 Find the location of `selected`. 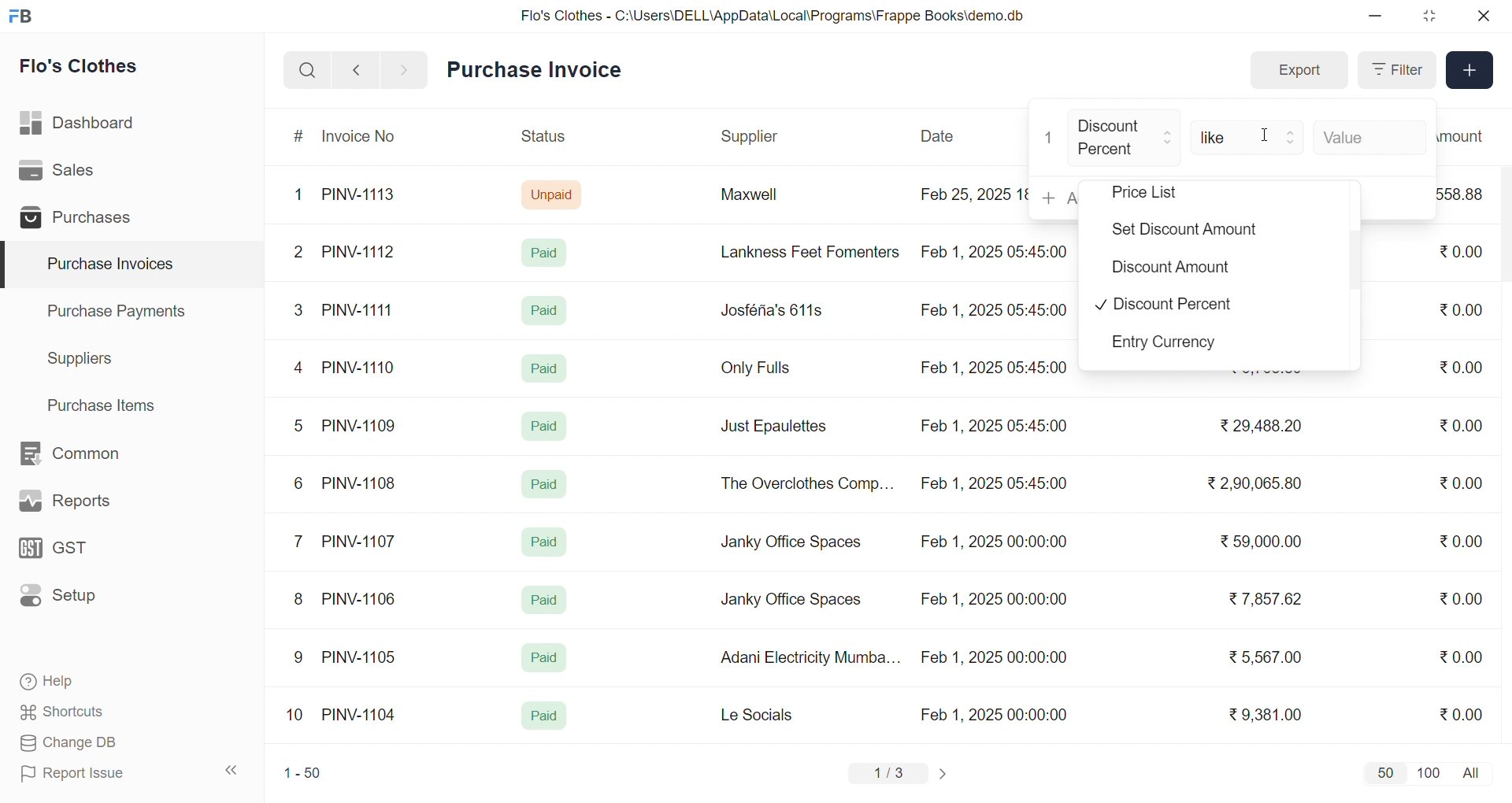

selected is located at coordinates (9, 265).